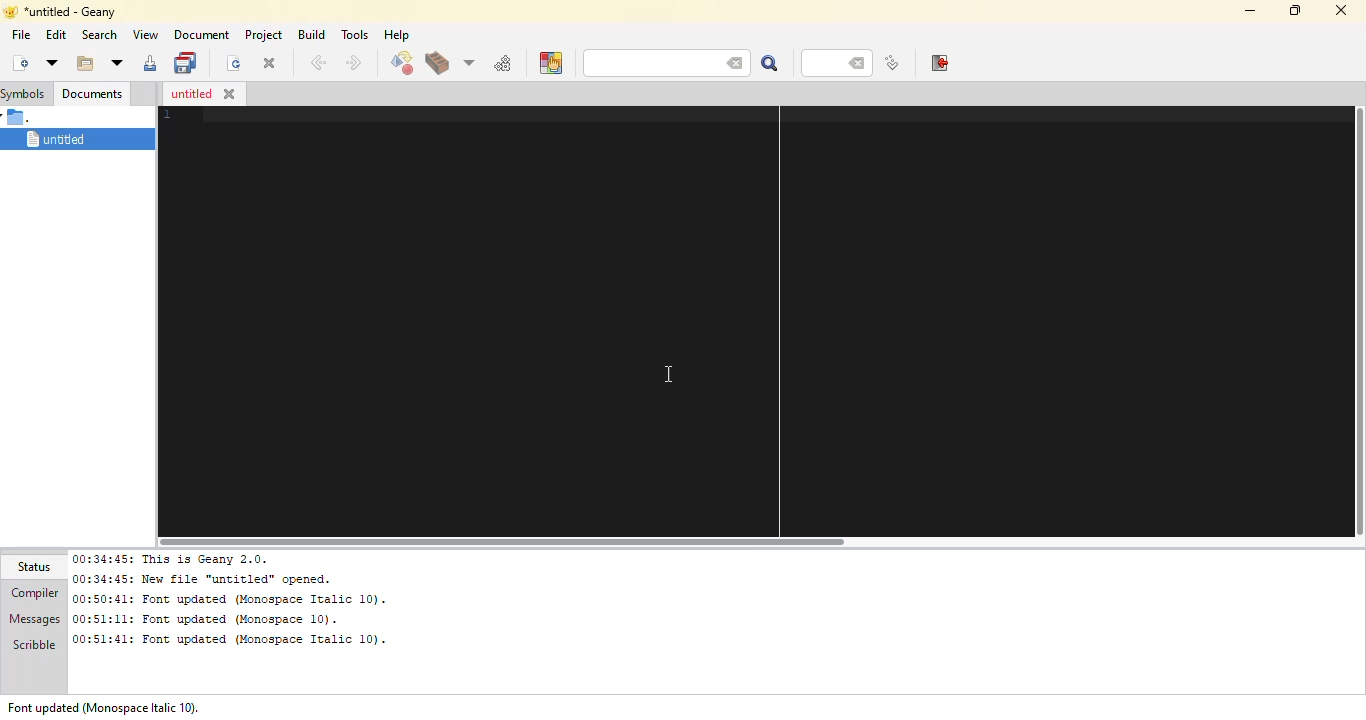 The height and width of the screenshot is (720, 1366). I want to click on text cursor, so click(669, 374).